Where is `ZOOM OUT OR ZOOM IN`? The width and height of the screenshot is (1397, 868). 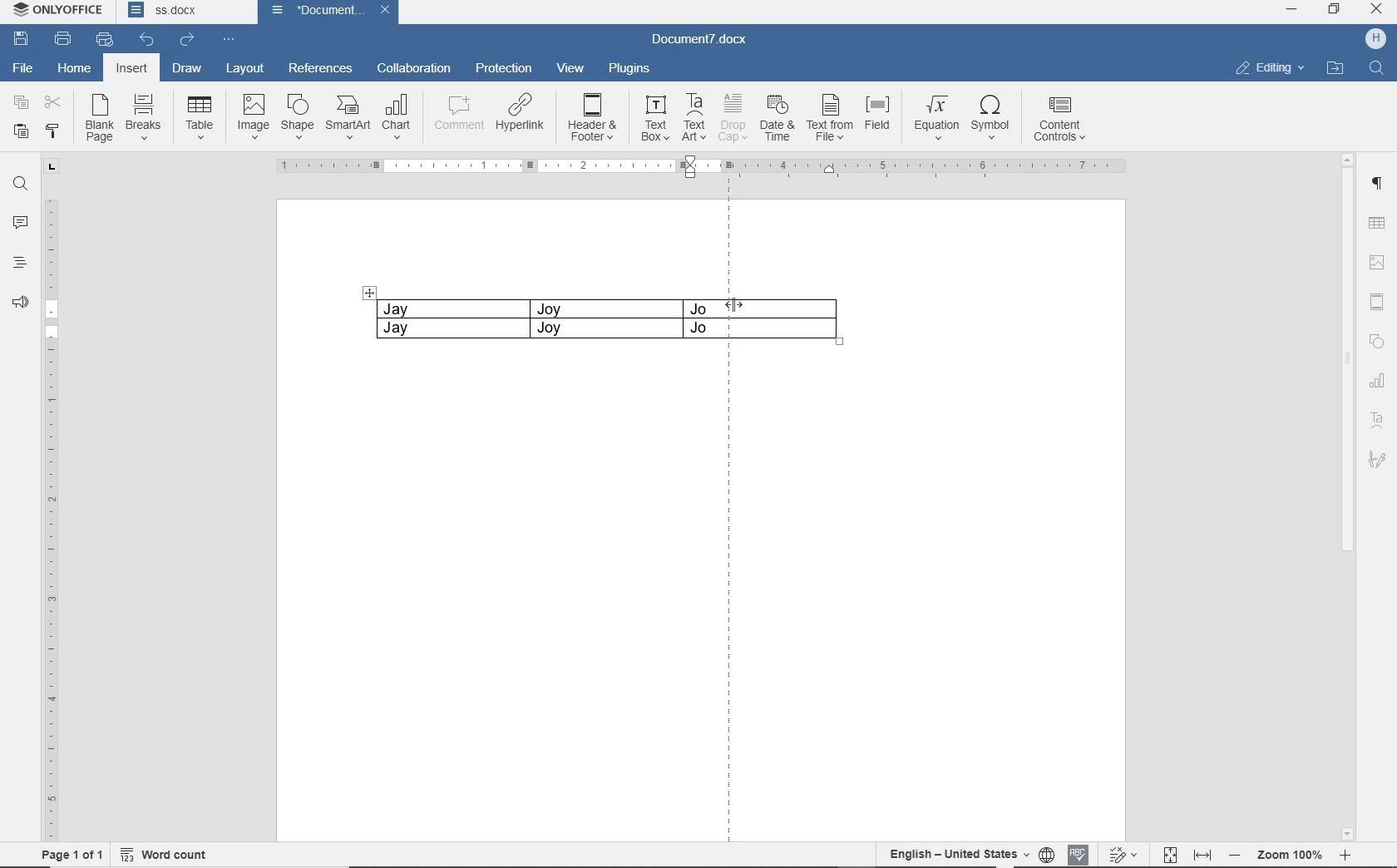
ZOOM OUT OR ZOOM IN is located at coordinates (1292, 855).